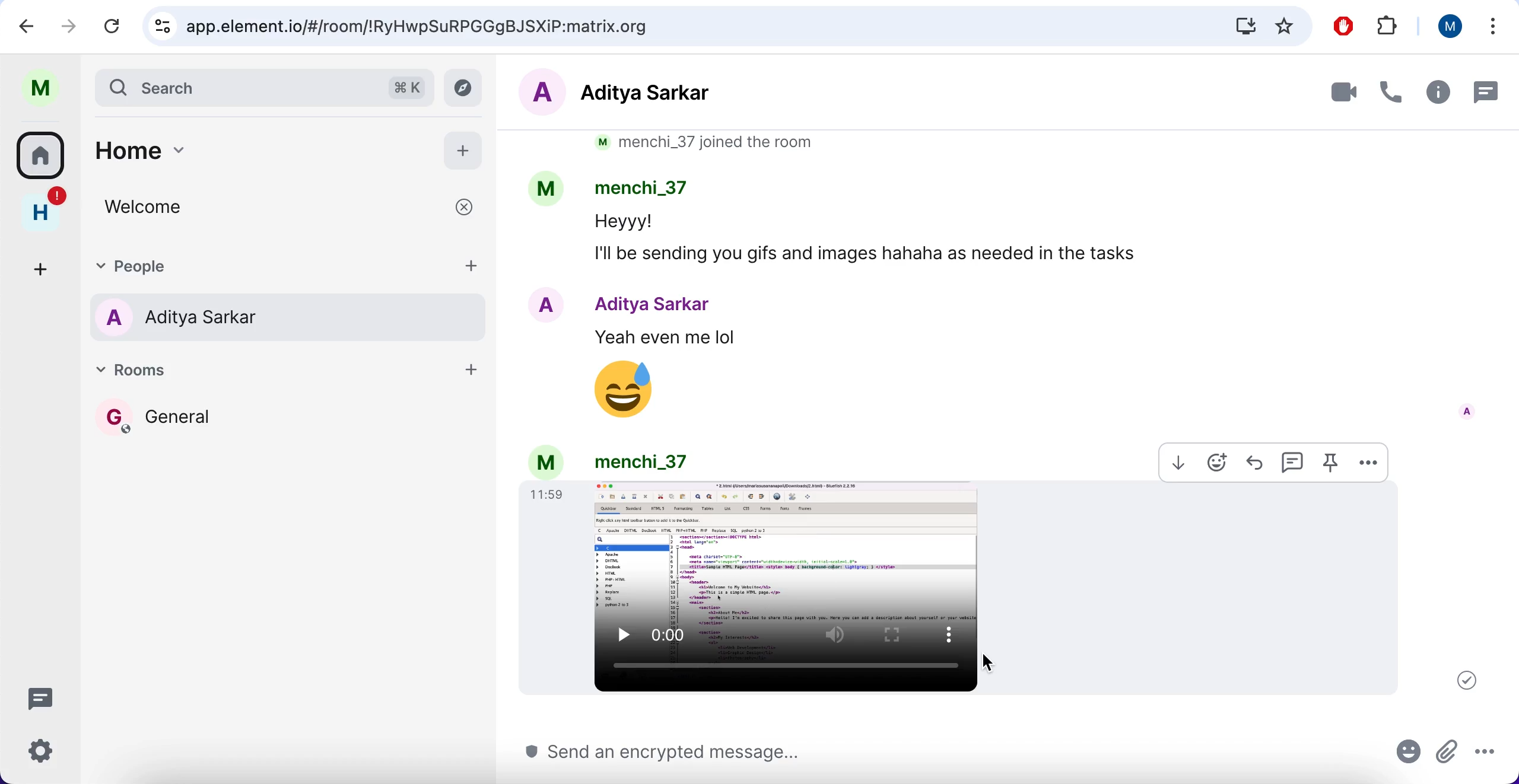 The height and width of the screenshot is (784, 1519). What do you see at coordinates (1216, 462) in the screenshot?
I see `emoji` at bounding box center [1216, 462].